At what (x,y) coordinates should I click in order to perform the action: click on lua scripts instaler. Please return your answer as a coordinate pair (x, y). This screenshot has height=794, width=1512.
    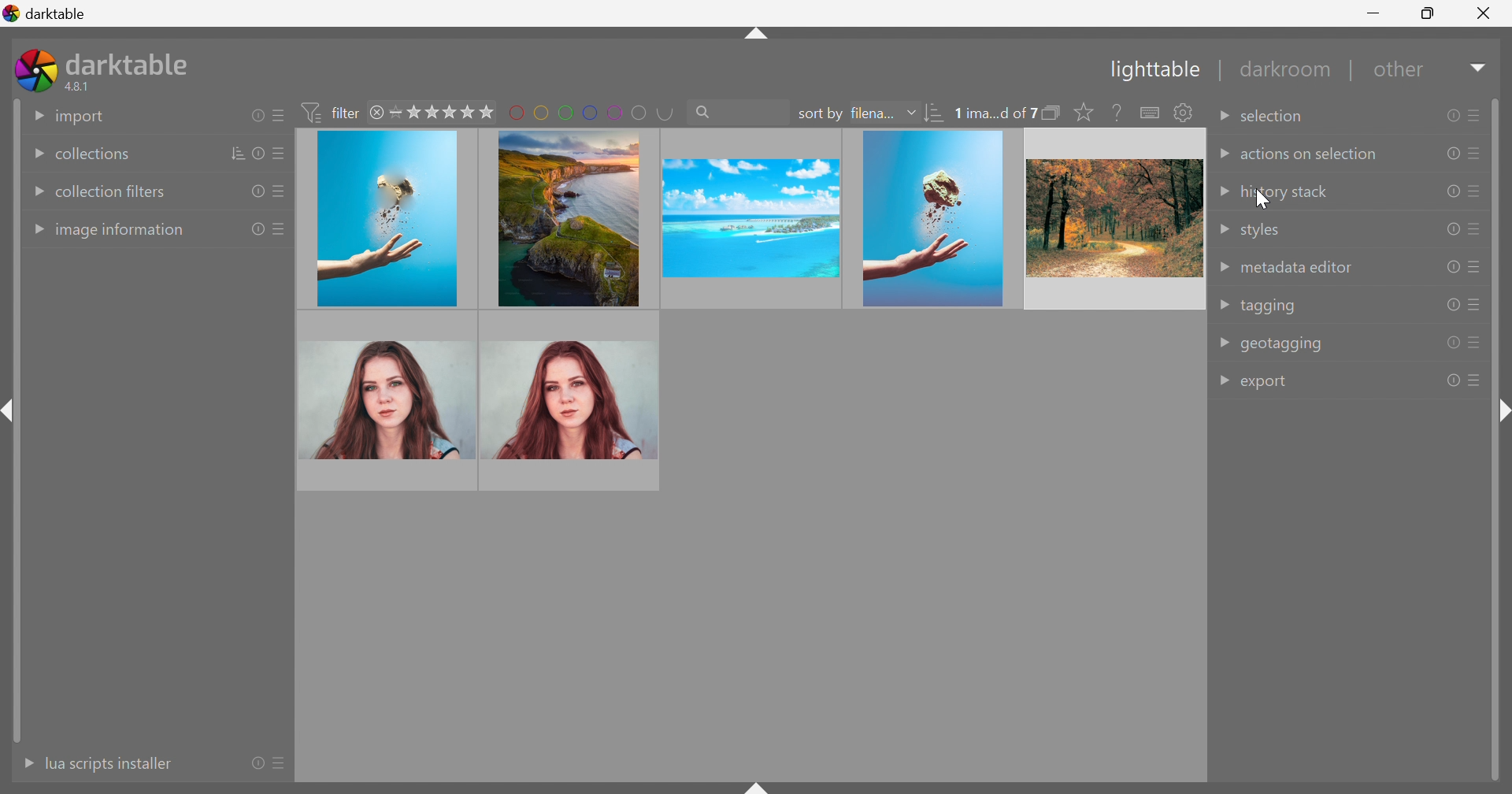
    Looking at the image, I should click on (108, 763).